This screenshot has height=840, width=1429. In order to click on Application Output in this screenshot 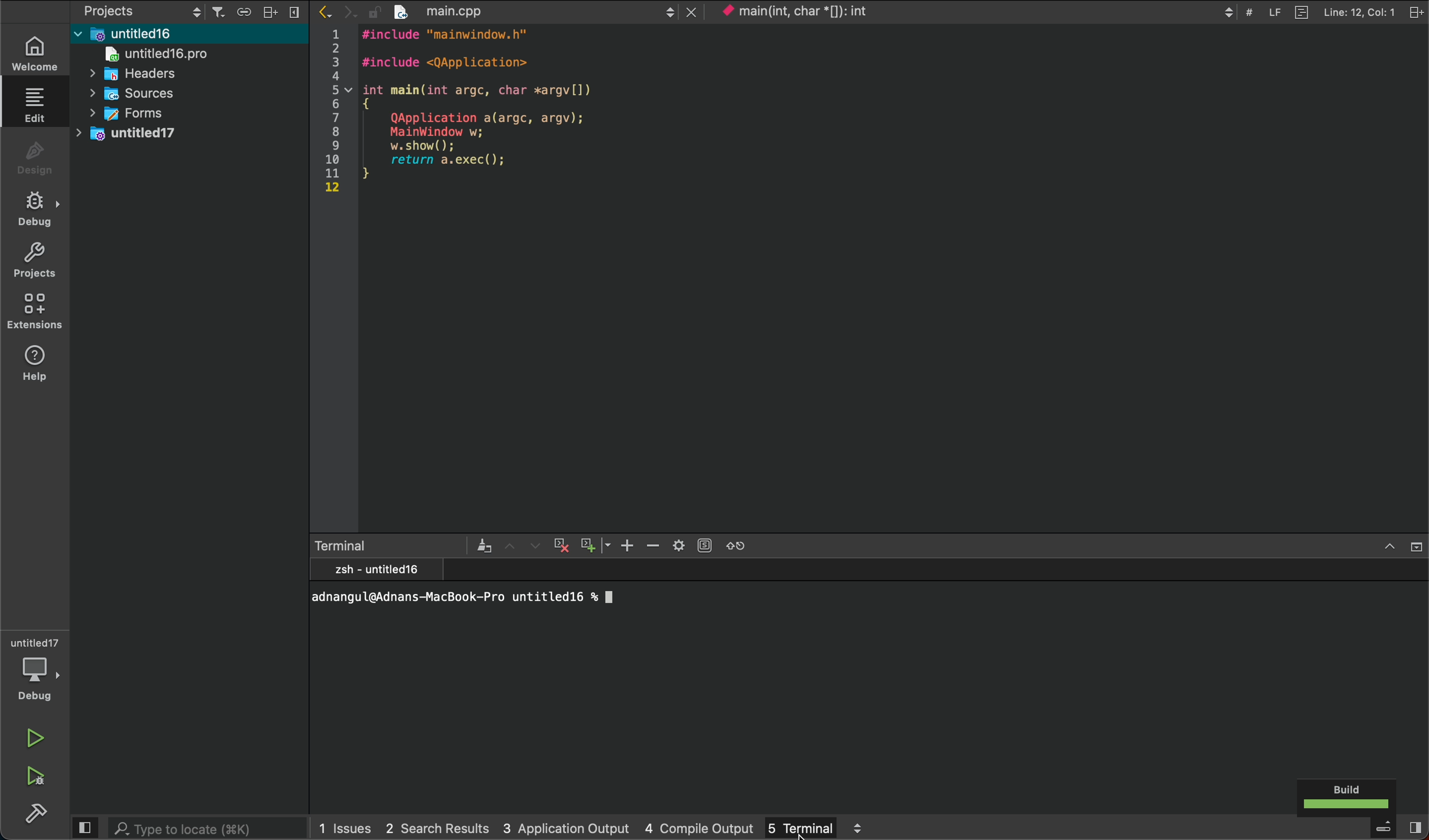, I will do `click(564, 827)`.